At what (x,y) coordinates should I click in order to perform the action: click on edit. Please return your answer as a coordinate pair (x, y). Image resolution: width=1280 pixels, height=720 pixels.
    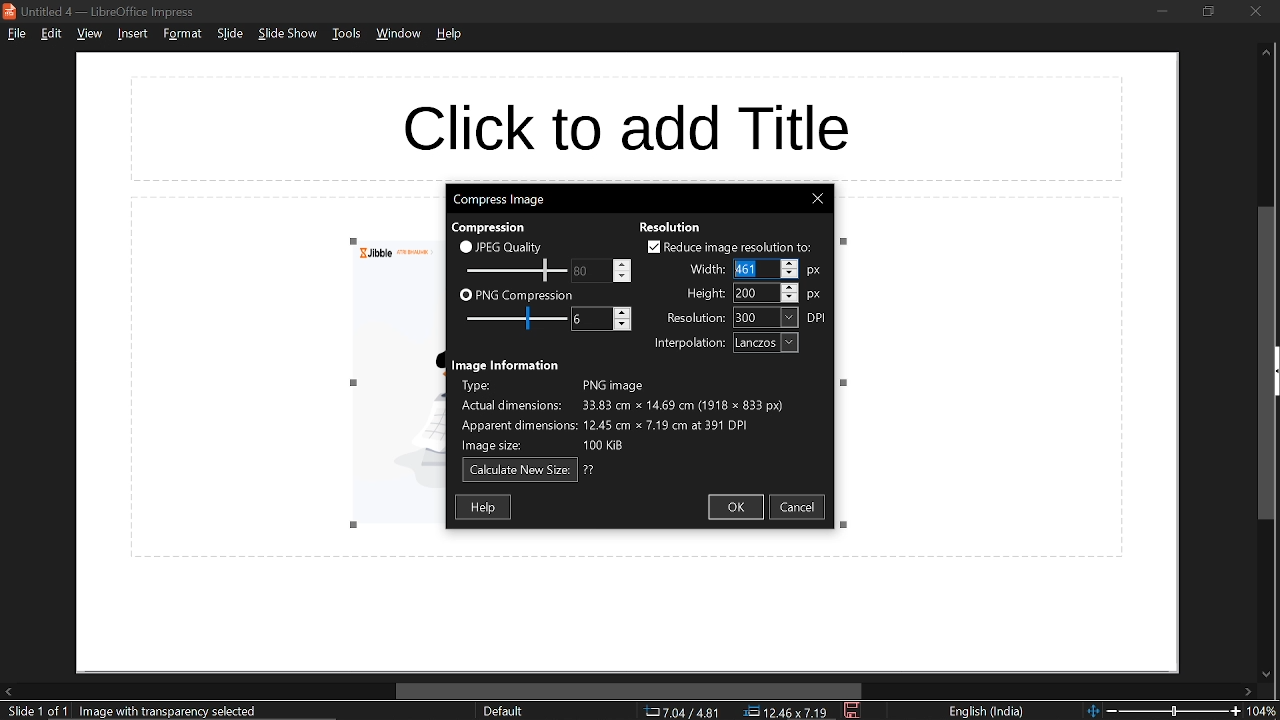
    Looking at the image, I should click on (50, 34).